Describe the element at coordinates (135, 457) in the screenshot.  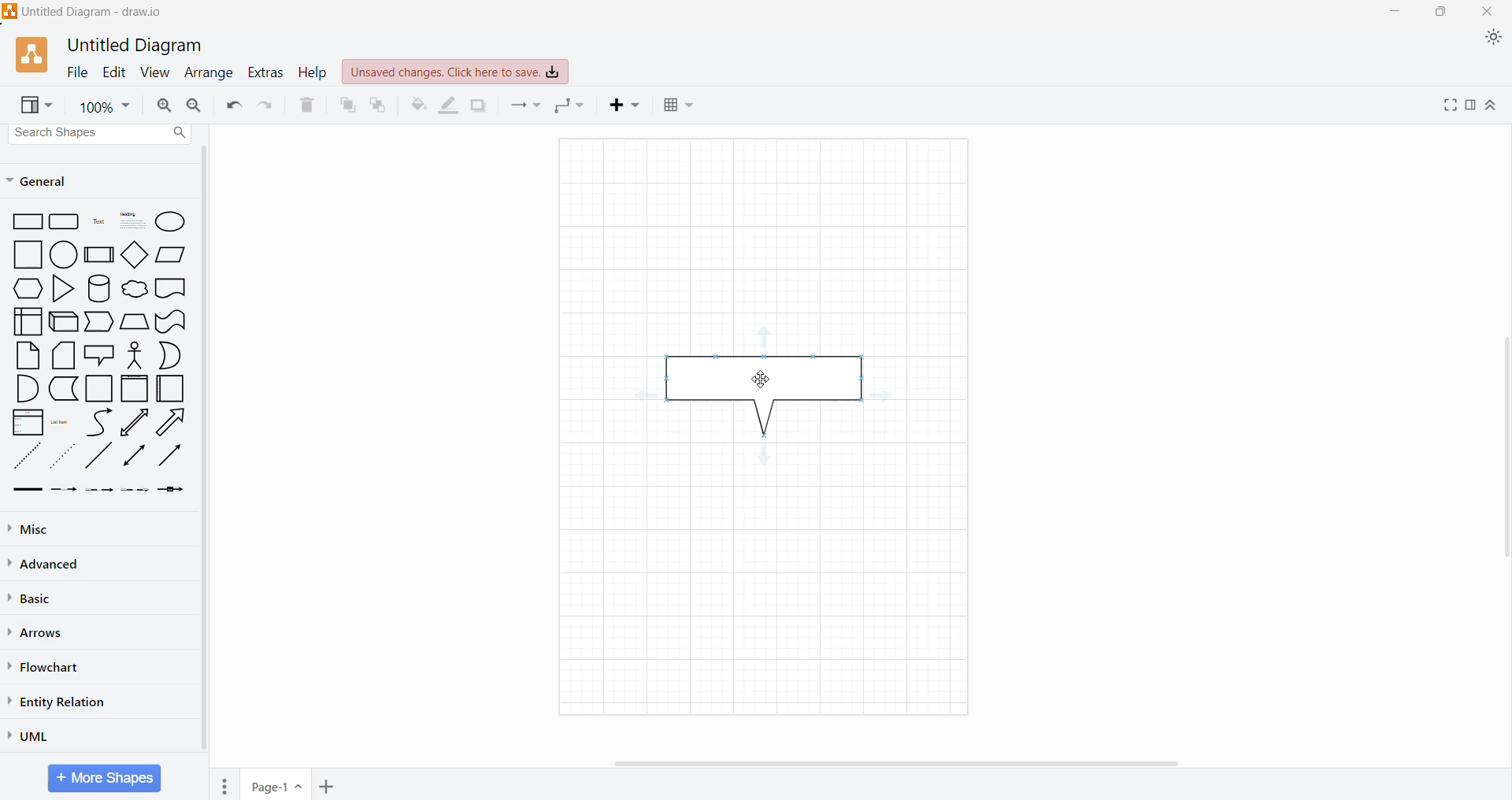
I see `Double Arrow ` at that location.